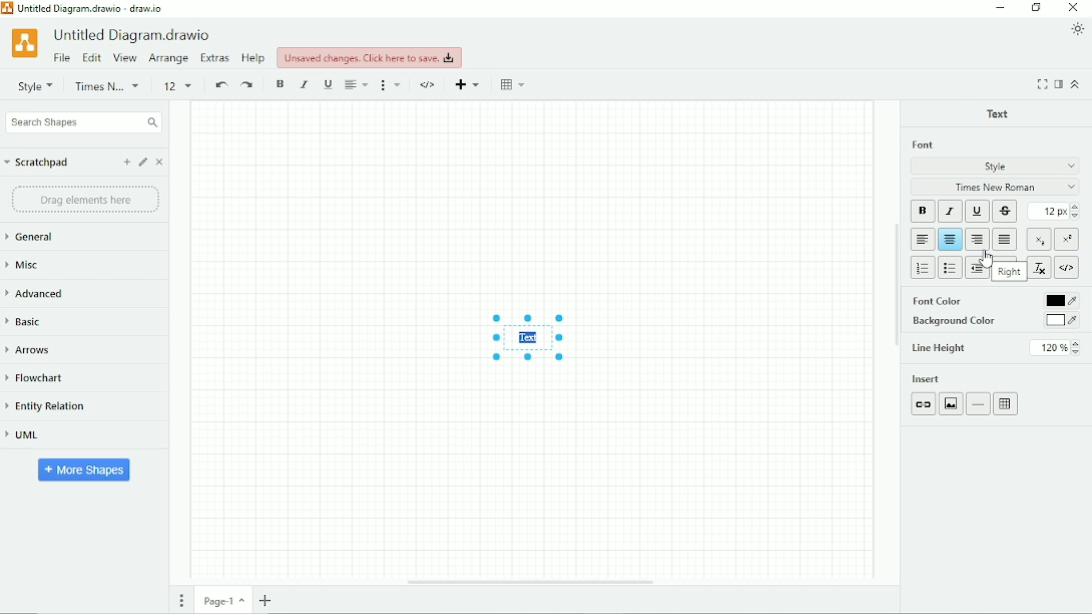 The width and height of the screenshot is (1092, 614). Describe the element at coordinates (26, 265) in the screenshot. I see `Misc` at that location.